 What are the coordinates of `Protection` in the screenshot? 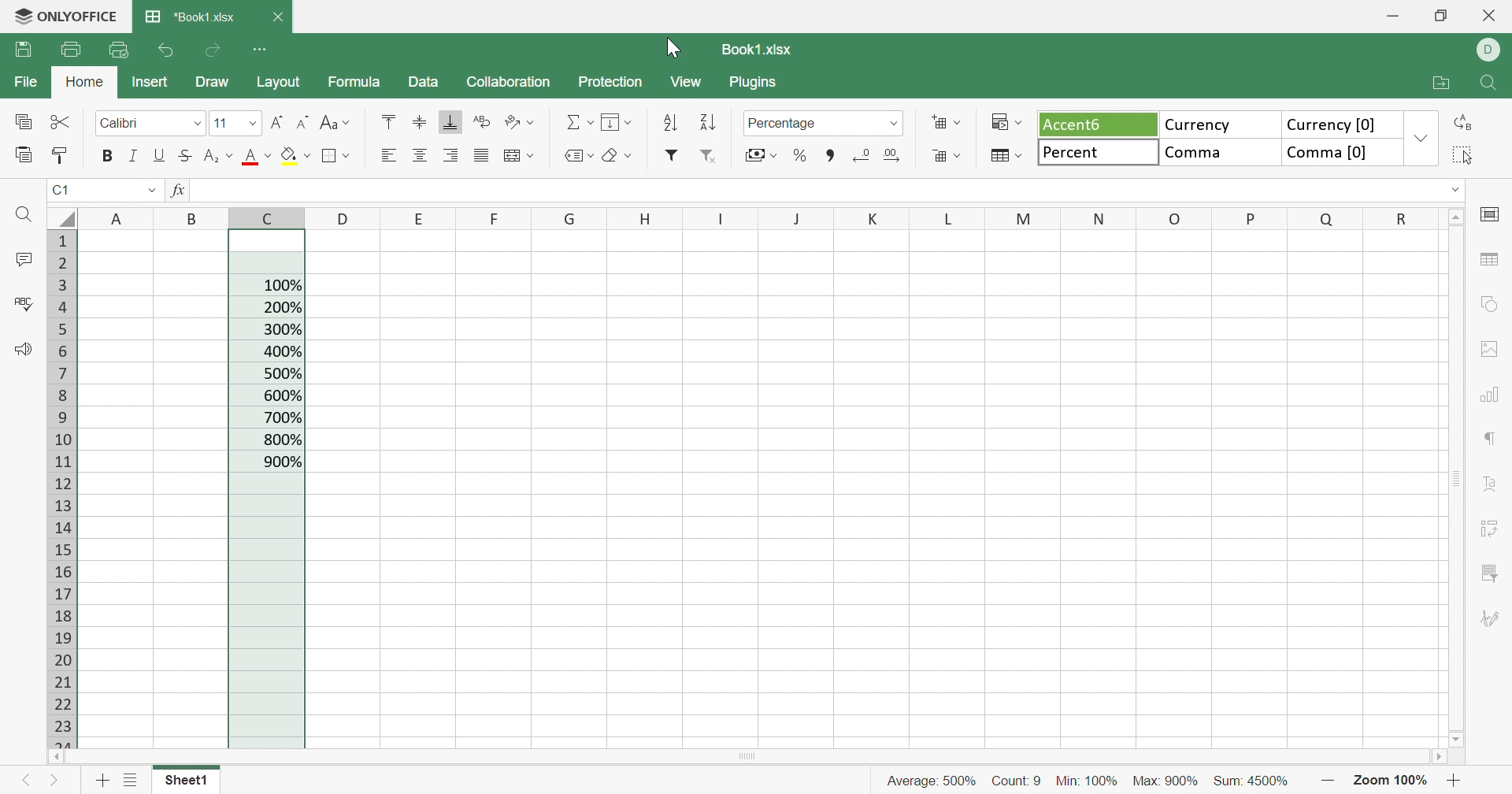 It's located at (612, 83).